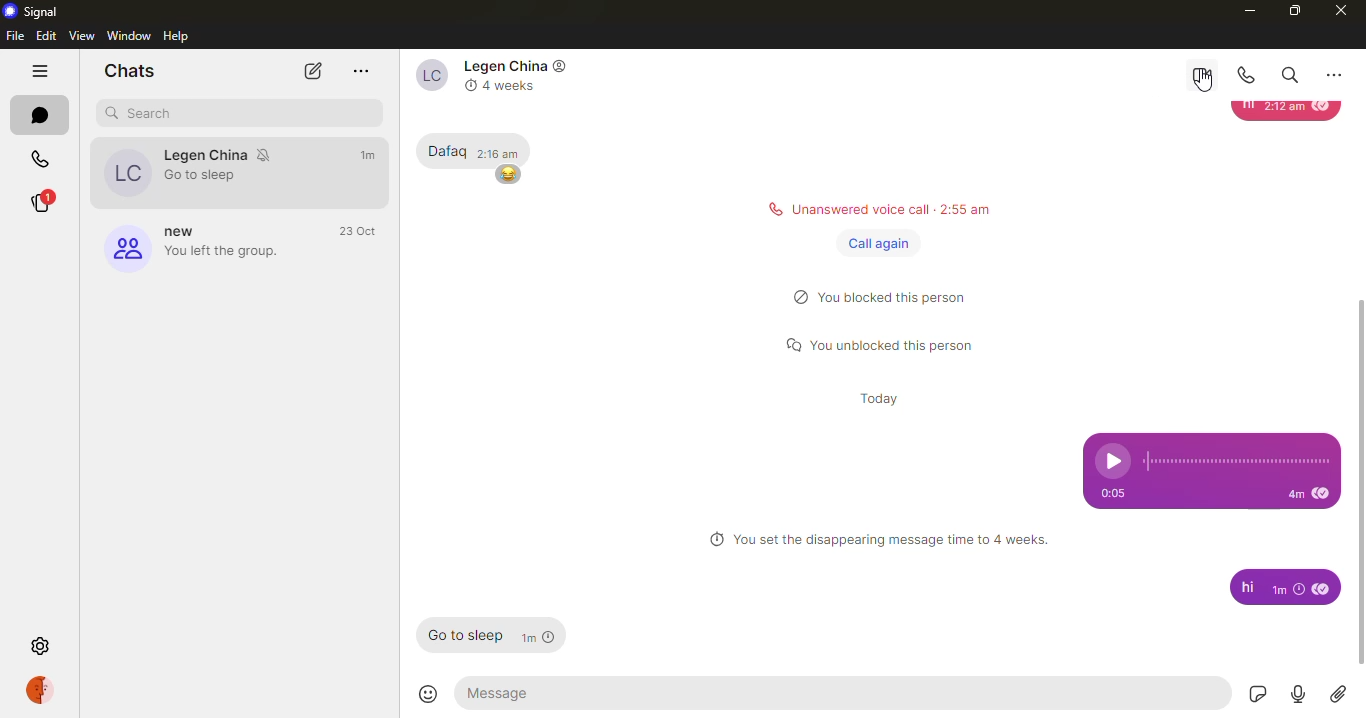  Describe the element at coordinates (1244, 10) in the screenshot. I see `minimize` at that location.